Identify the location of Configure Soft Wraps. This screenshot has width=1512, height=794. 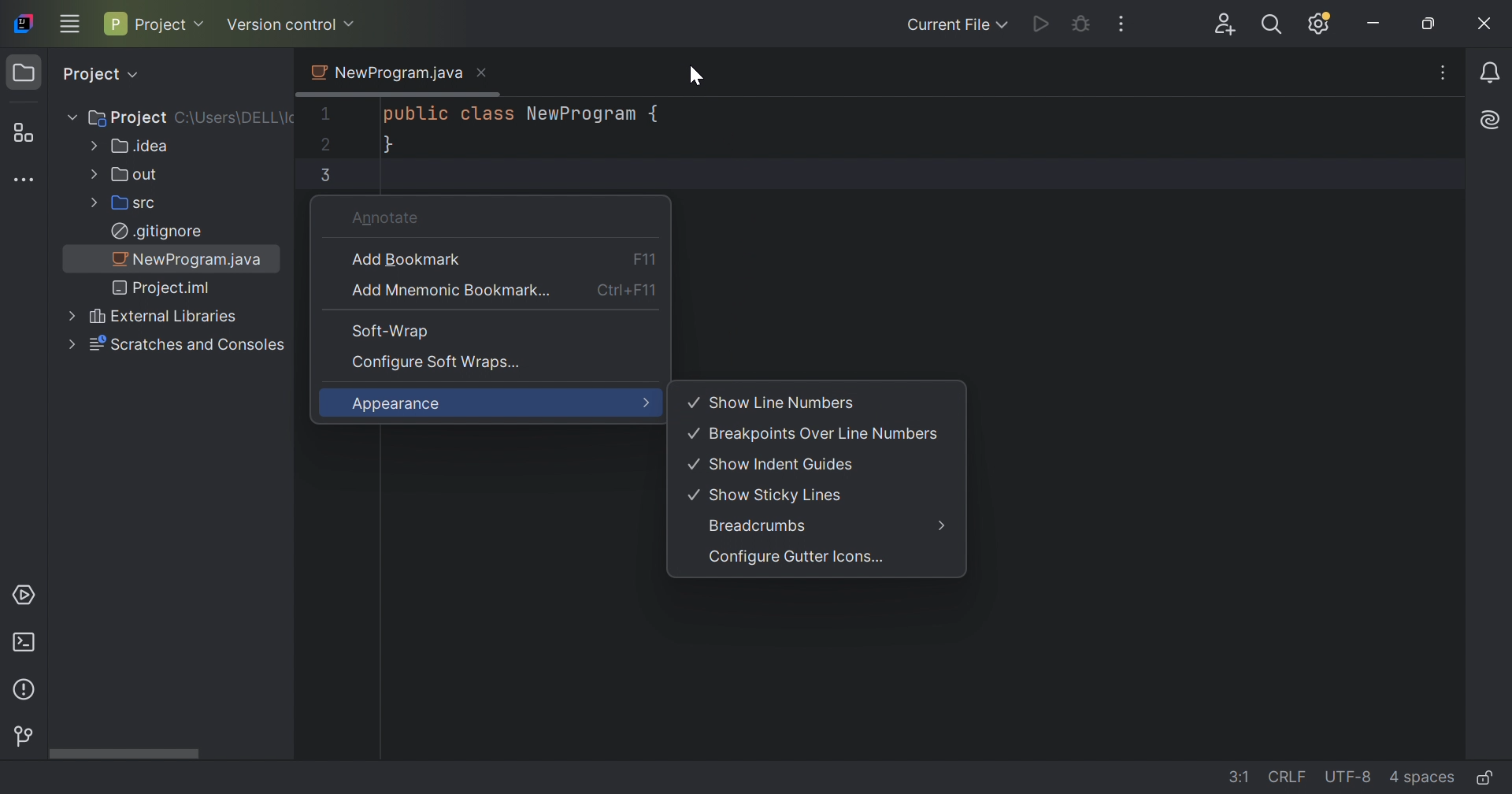
(438, 362).